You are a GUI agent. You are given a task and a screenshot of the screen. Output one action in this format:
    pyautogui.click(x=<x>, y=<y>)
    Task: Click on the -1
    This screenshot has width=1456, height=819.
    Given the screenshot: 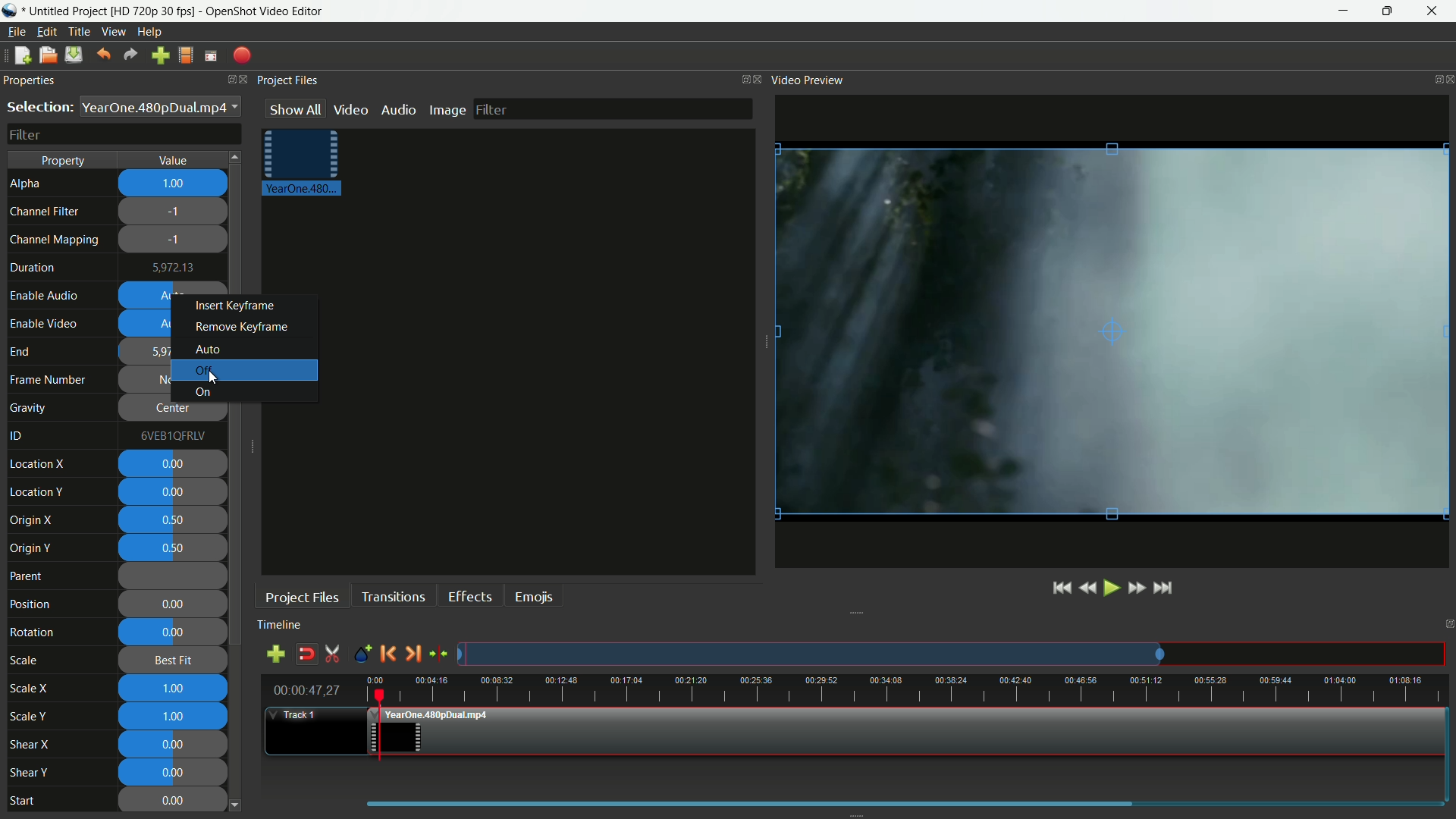 What is the action you would take?
    pyautogui.click(x=174, y=240)
    